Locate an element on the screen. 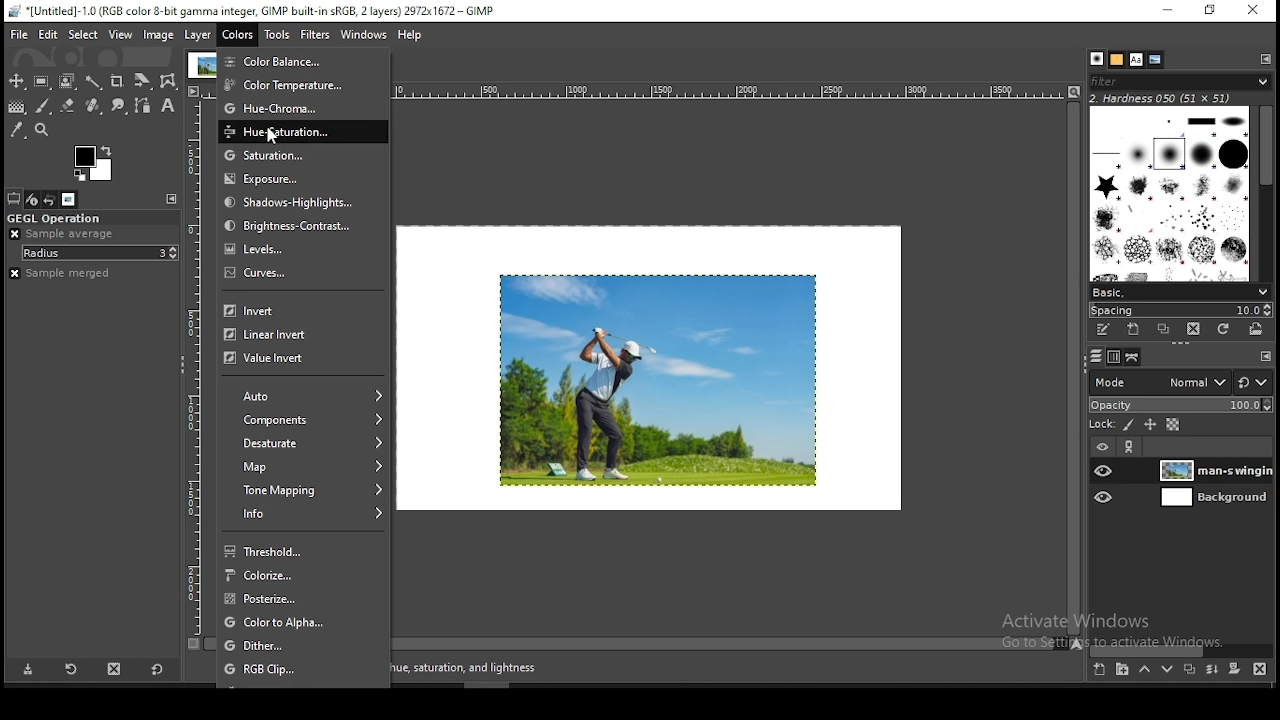 The width and height of the screenshot is (1280, 720). save tool preset is located at coordinates (32, 669).